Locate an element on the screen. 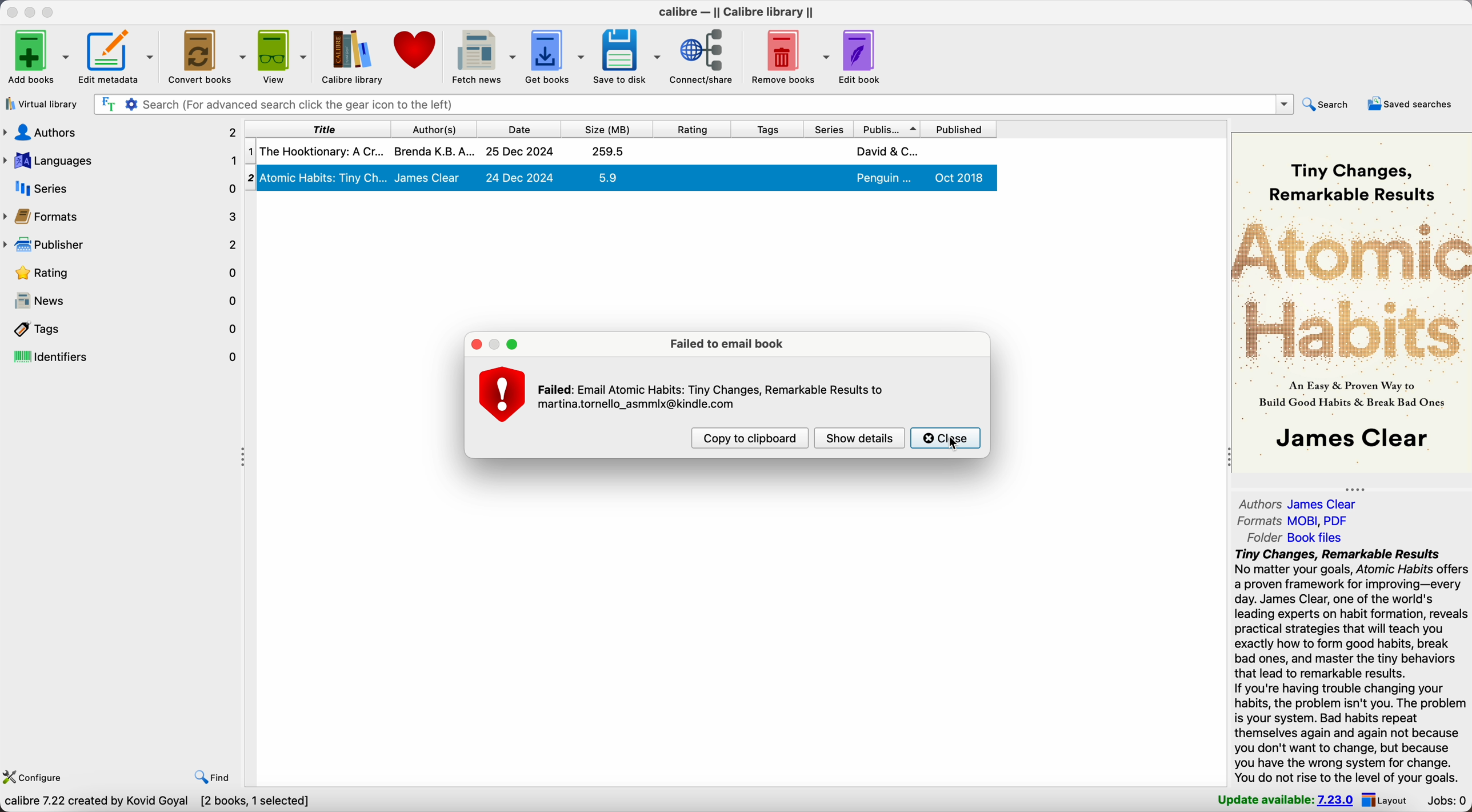  Tiny Changes, Remarkable ResultsNo matter your goals, Atomic Habits offersa proven framework for improving—everyday. James Clear, one of the world'sleading experts on habit formation, revealspractical strategies that will teach youexactly how to form good habits, breakbad ones, and master the tiny behaviorsthat lead to remarkable results.If you're having trouble changing yourhabits, the problem isn't you. The problemis your system. Bad habits repeatthemselves again and again not becauseyou don't want to change, but becauseyou have the wrong system for change.You do not rise to the level of your goals. is located at coordinates (1351, 666).